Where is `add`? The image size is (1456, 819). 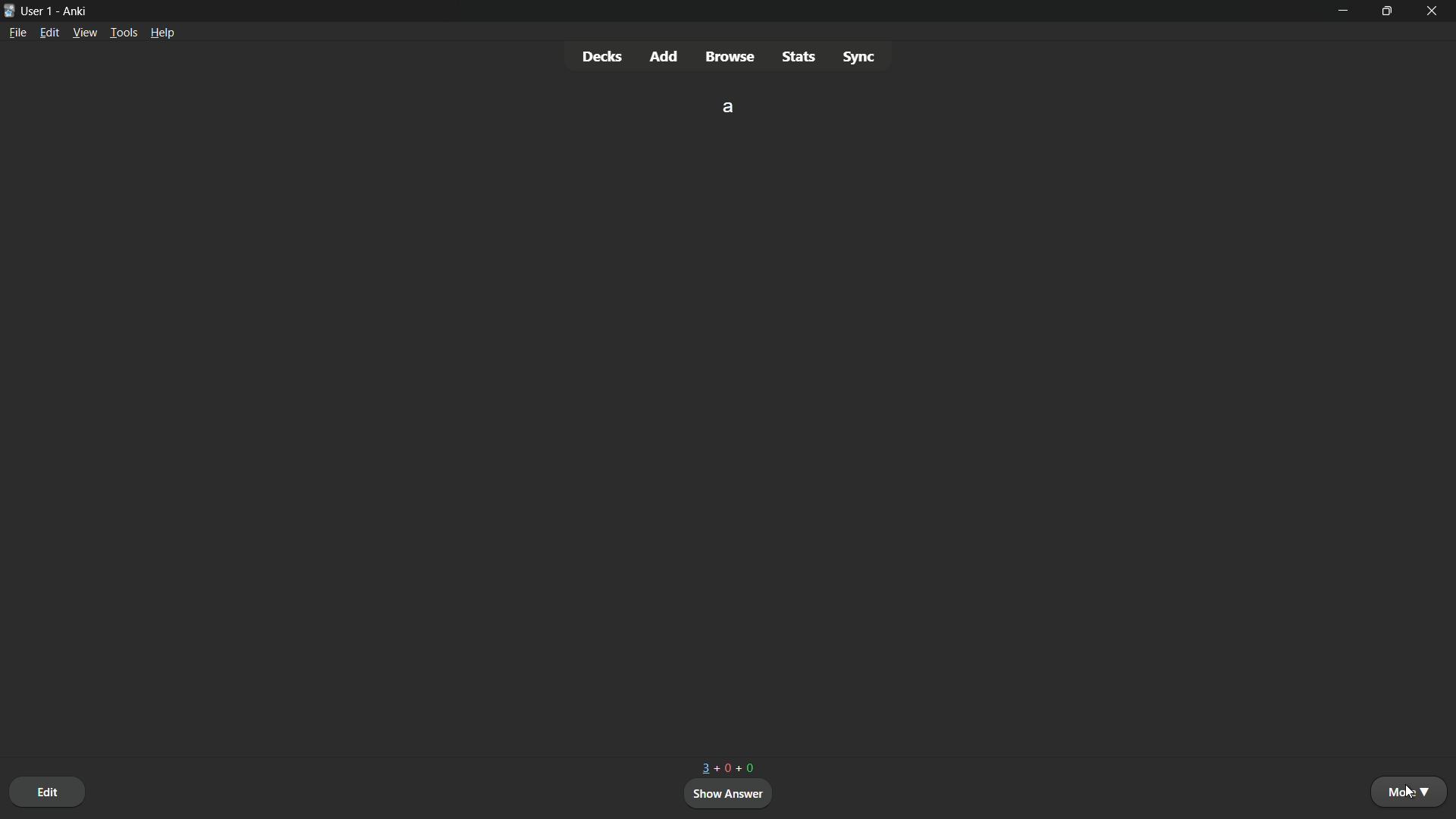
add is located at coordinates (665, 56).